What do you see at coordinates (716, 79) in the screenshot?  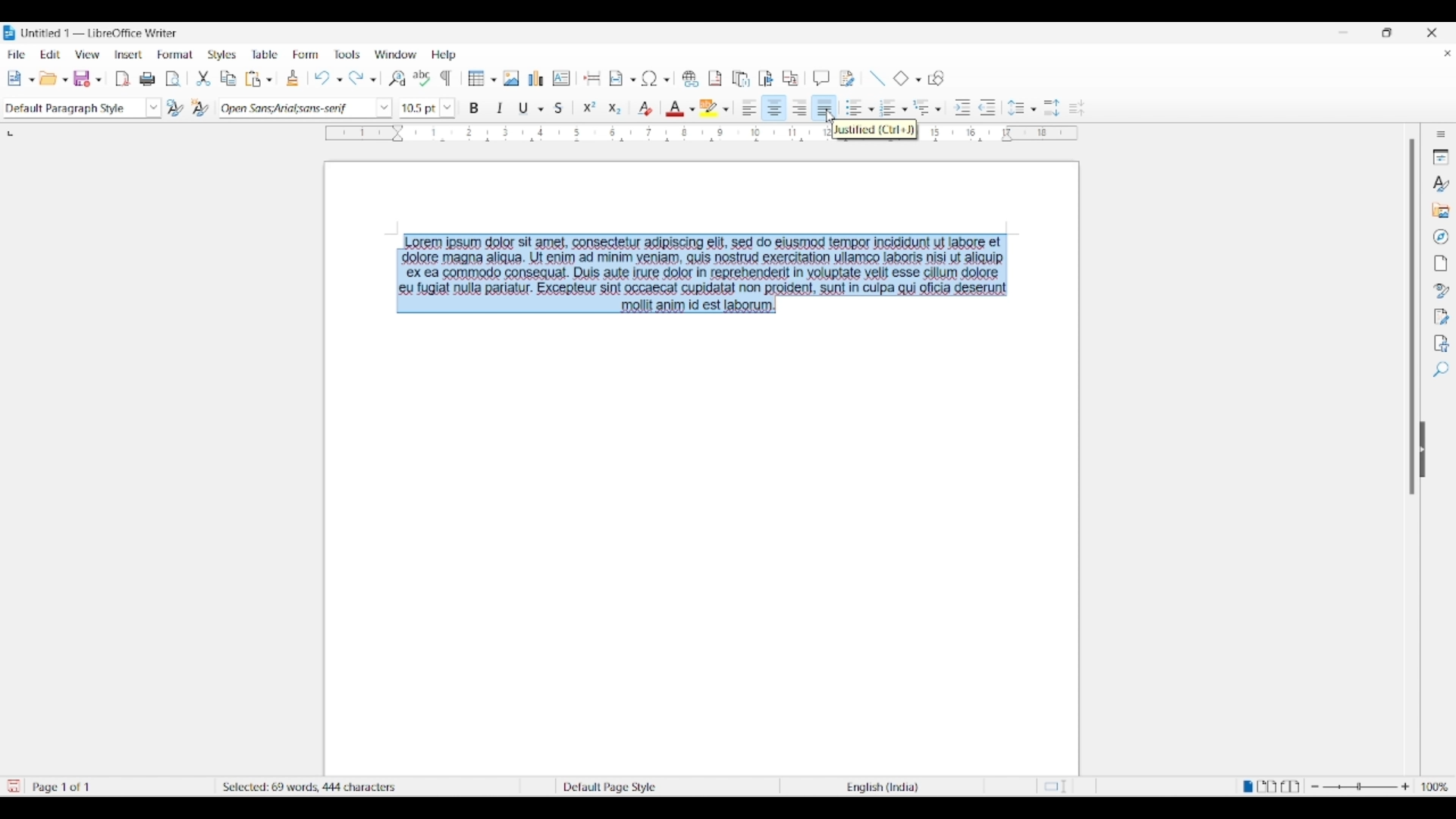 I see `Insert footnote` at bounding box center [716, 79].